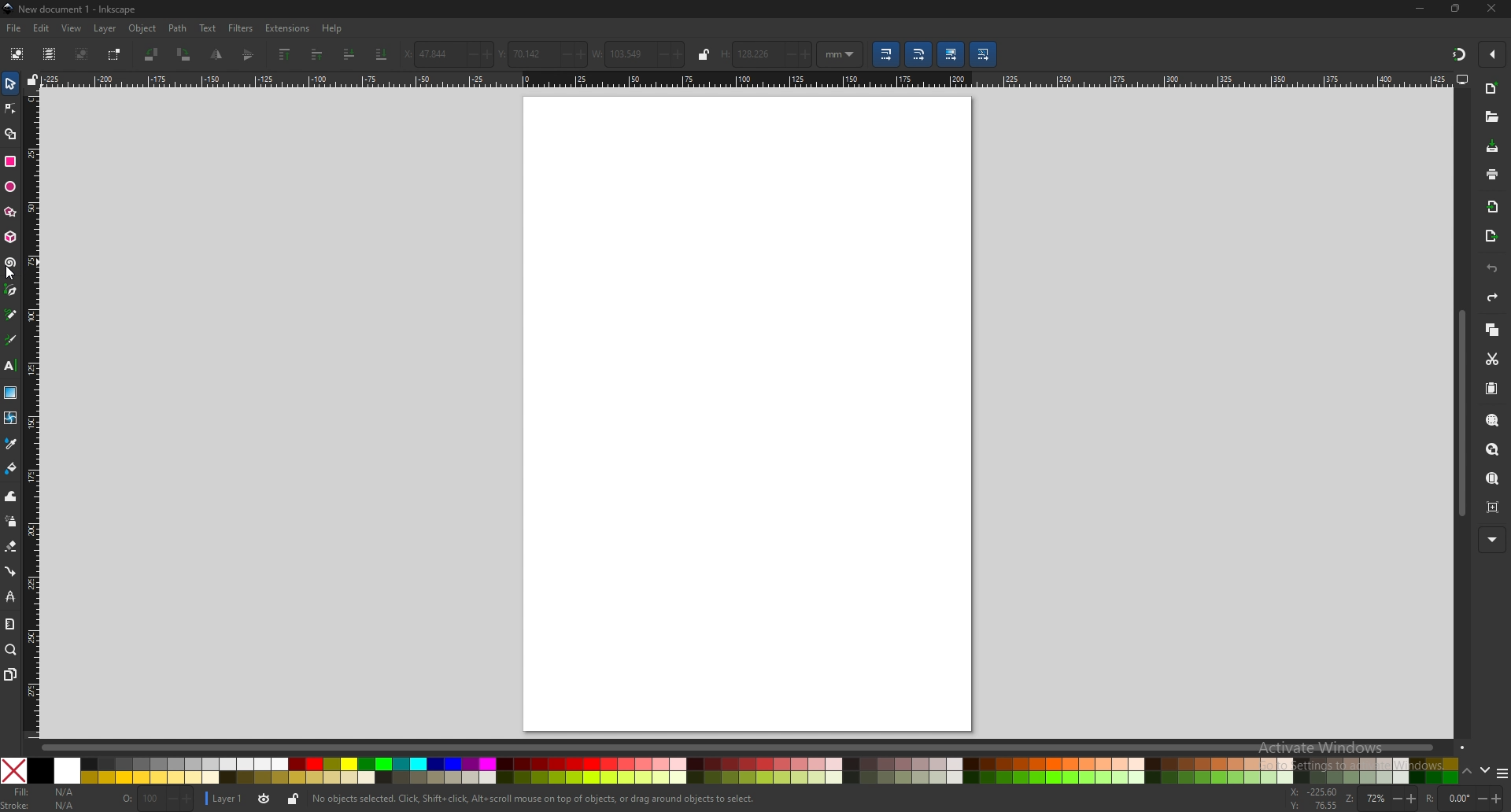  I want to click on open, so click(1491, 119).